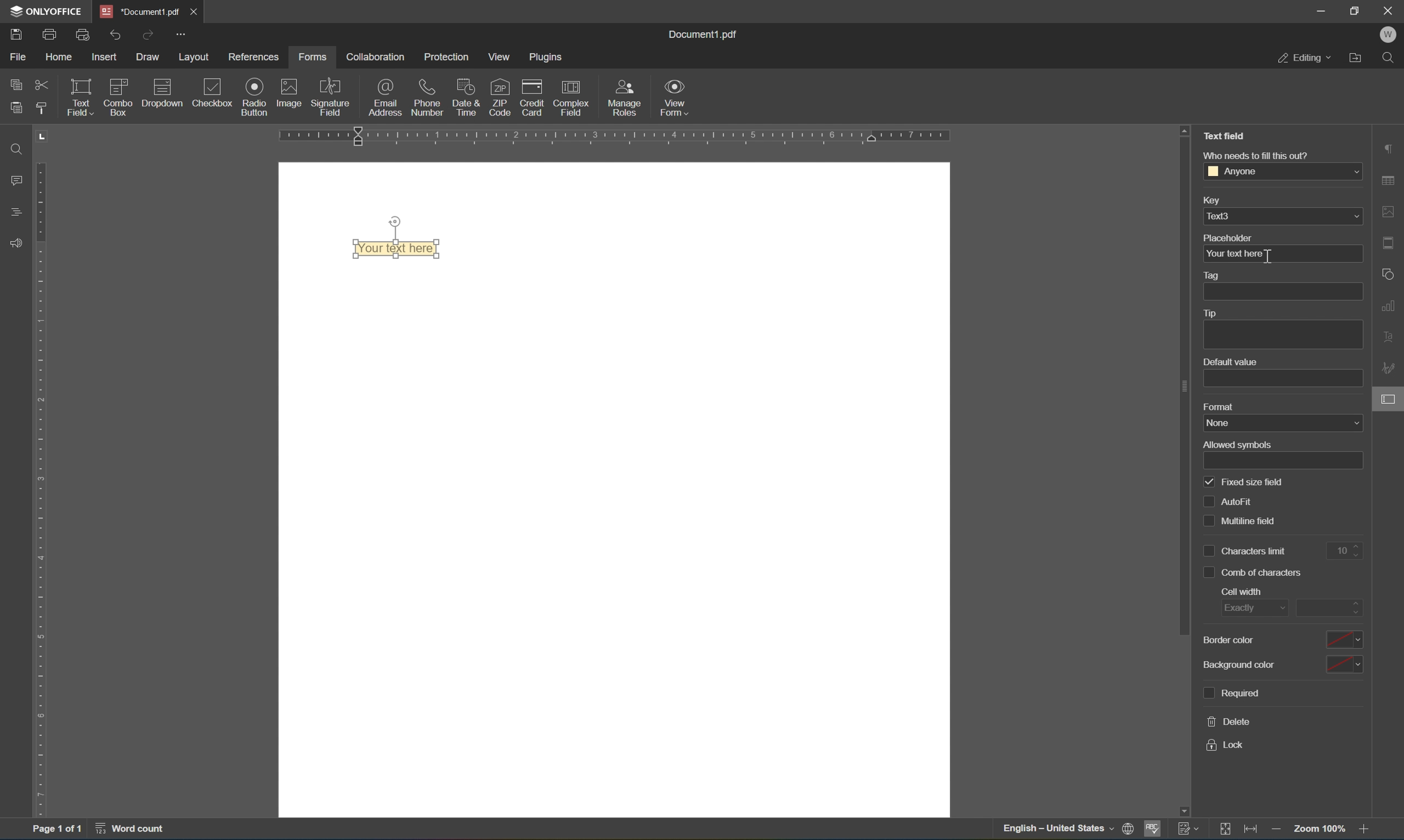 This screenshot has height=840, width=1404. What do you see at coordinates (121, 84) in the screenshot?
I see `icon` at bounding box center [121, 84].